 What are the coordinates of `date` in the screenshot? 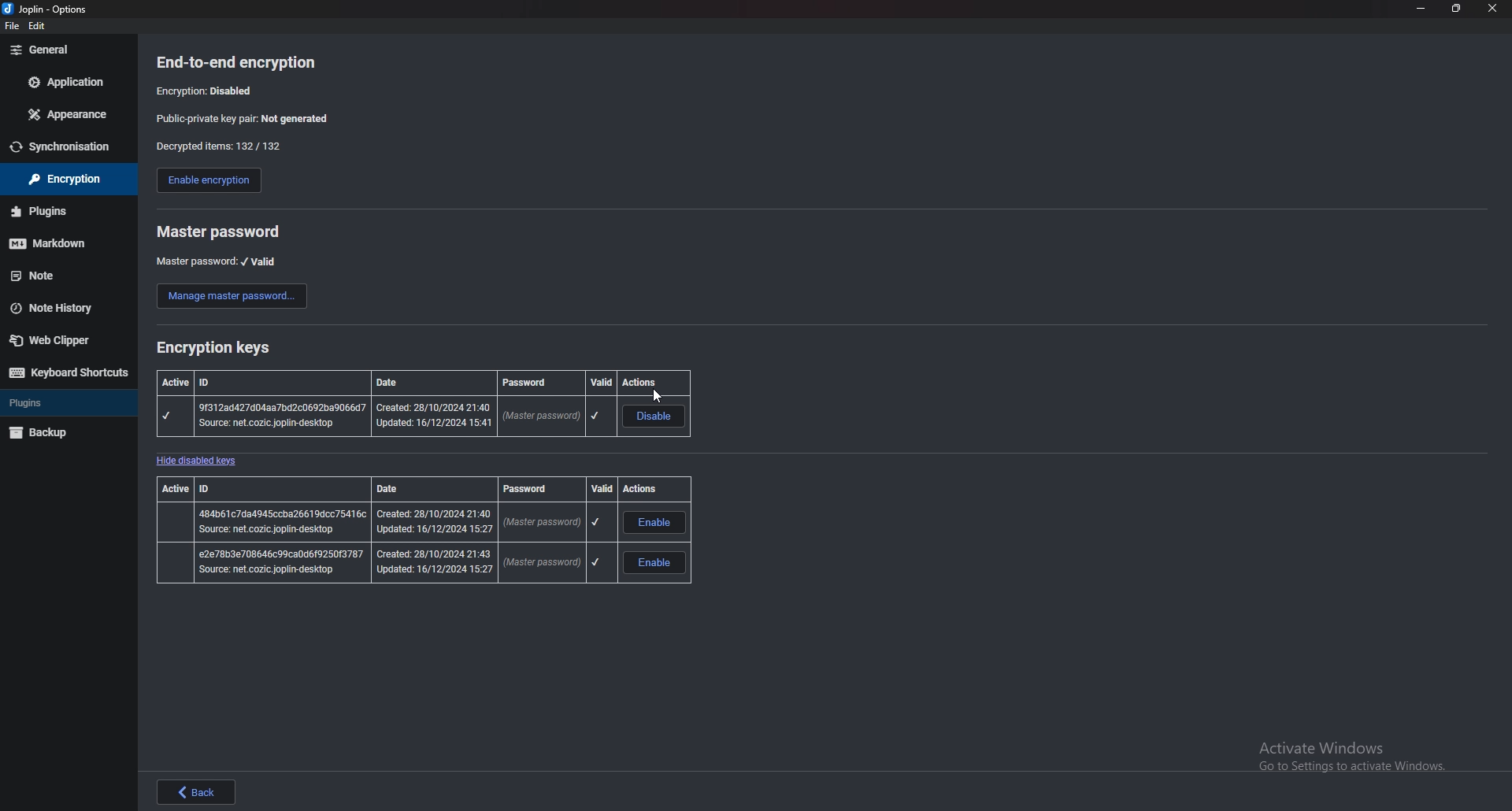 It's located at (409, 384).